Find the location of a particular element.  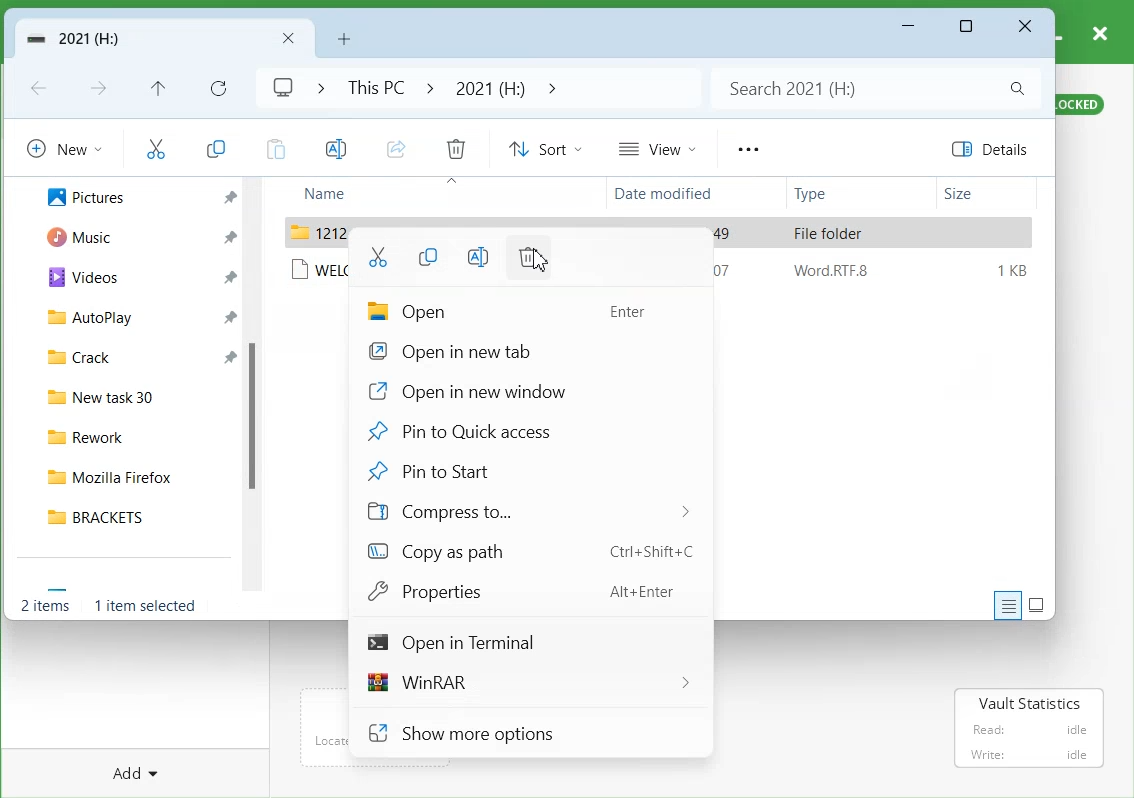

Share is located at coordinates (395, 148).